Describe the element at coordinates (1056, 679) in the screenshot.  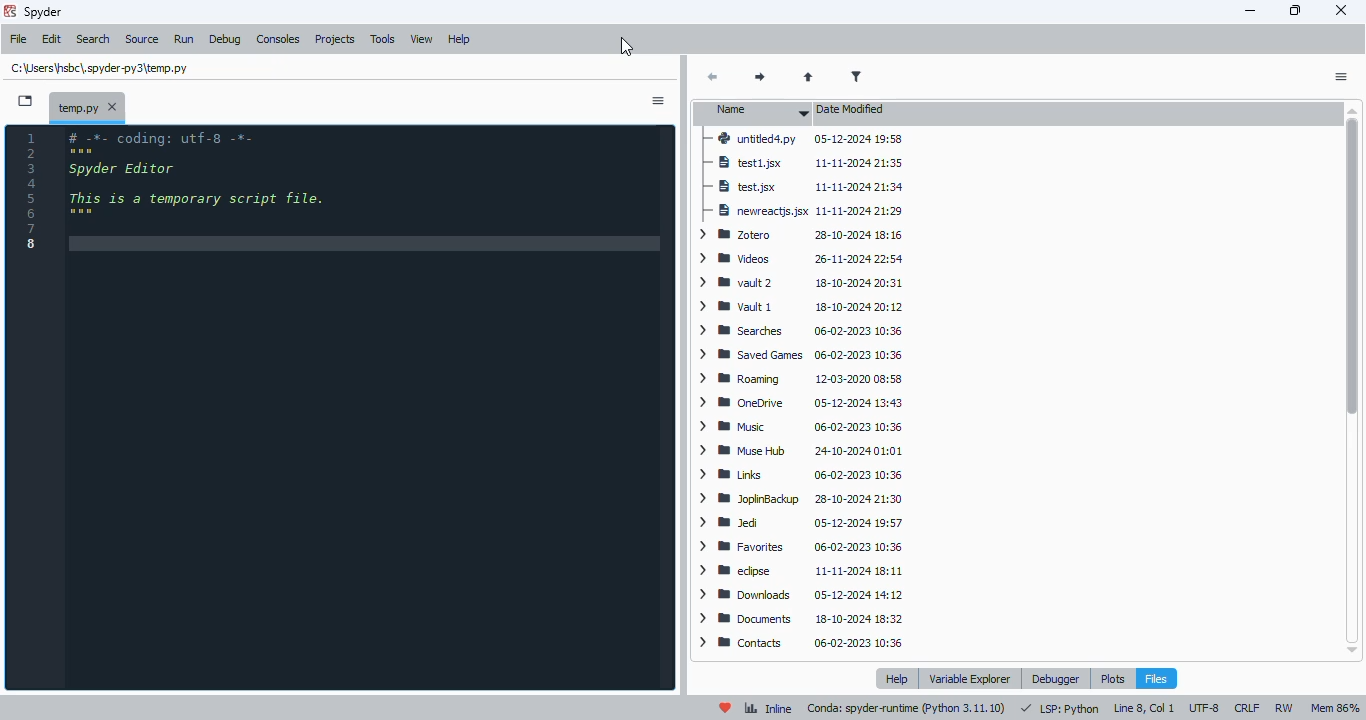
I see `debugger` at that location.